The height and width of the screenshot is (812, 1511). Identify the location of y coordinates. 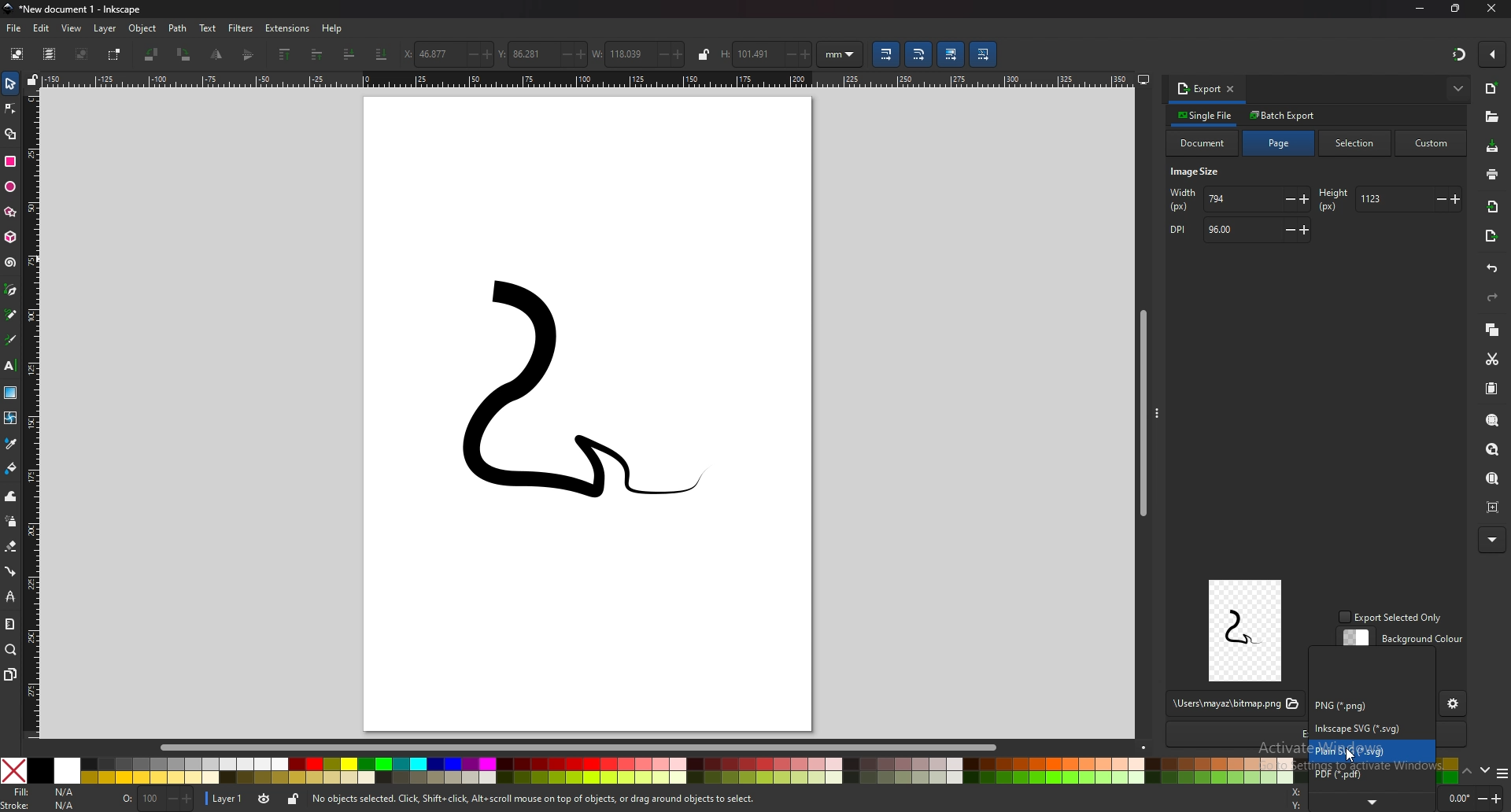
(542, 54).